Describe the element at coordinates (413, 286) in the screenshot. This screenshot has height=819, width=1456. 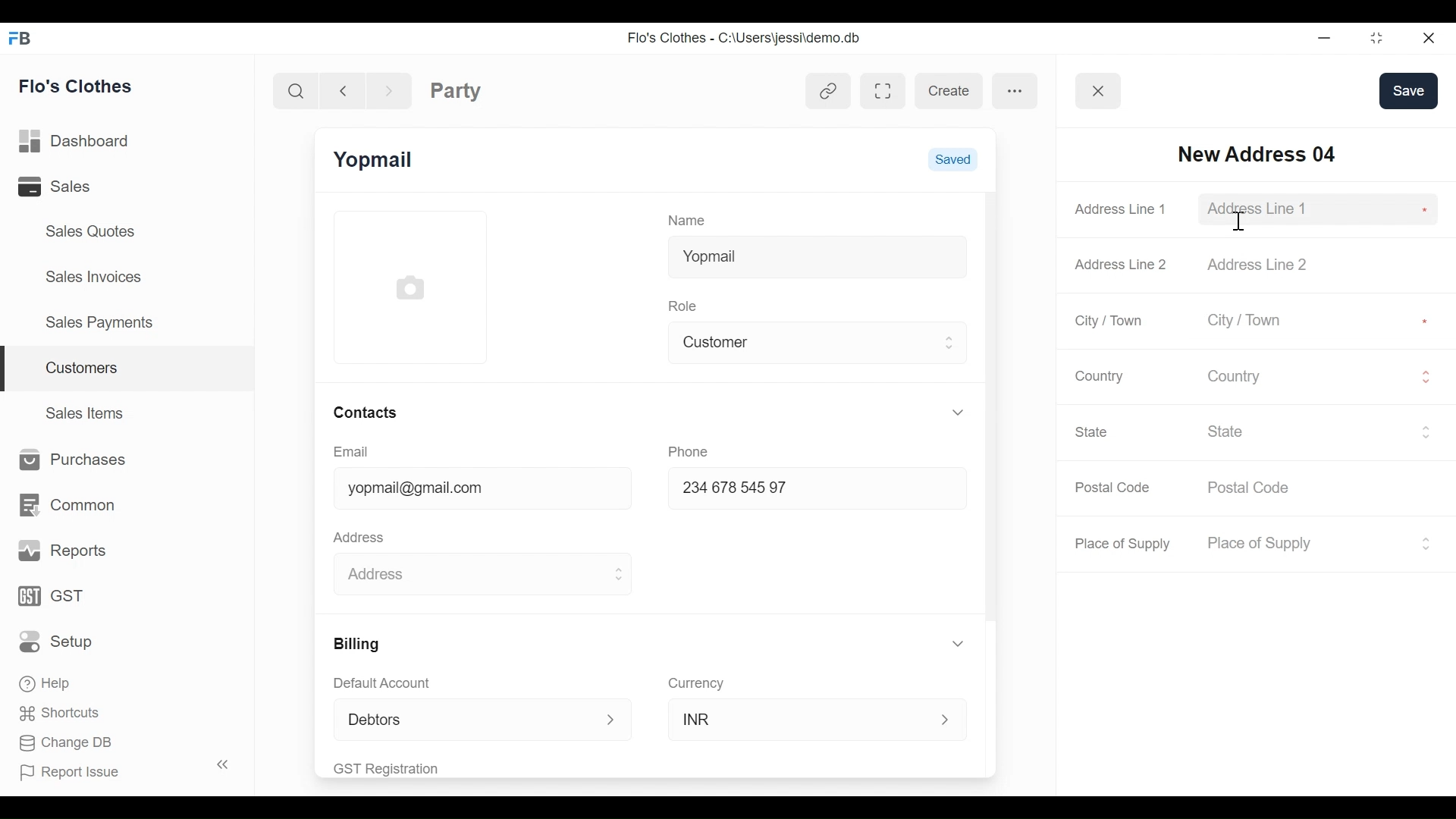
I see `Profile Picture` at that location.